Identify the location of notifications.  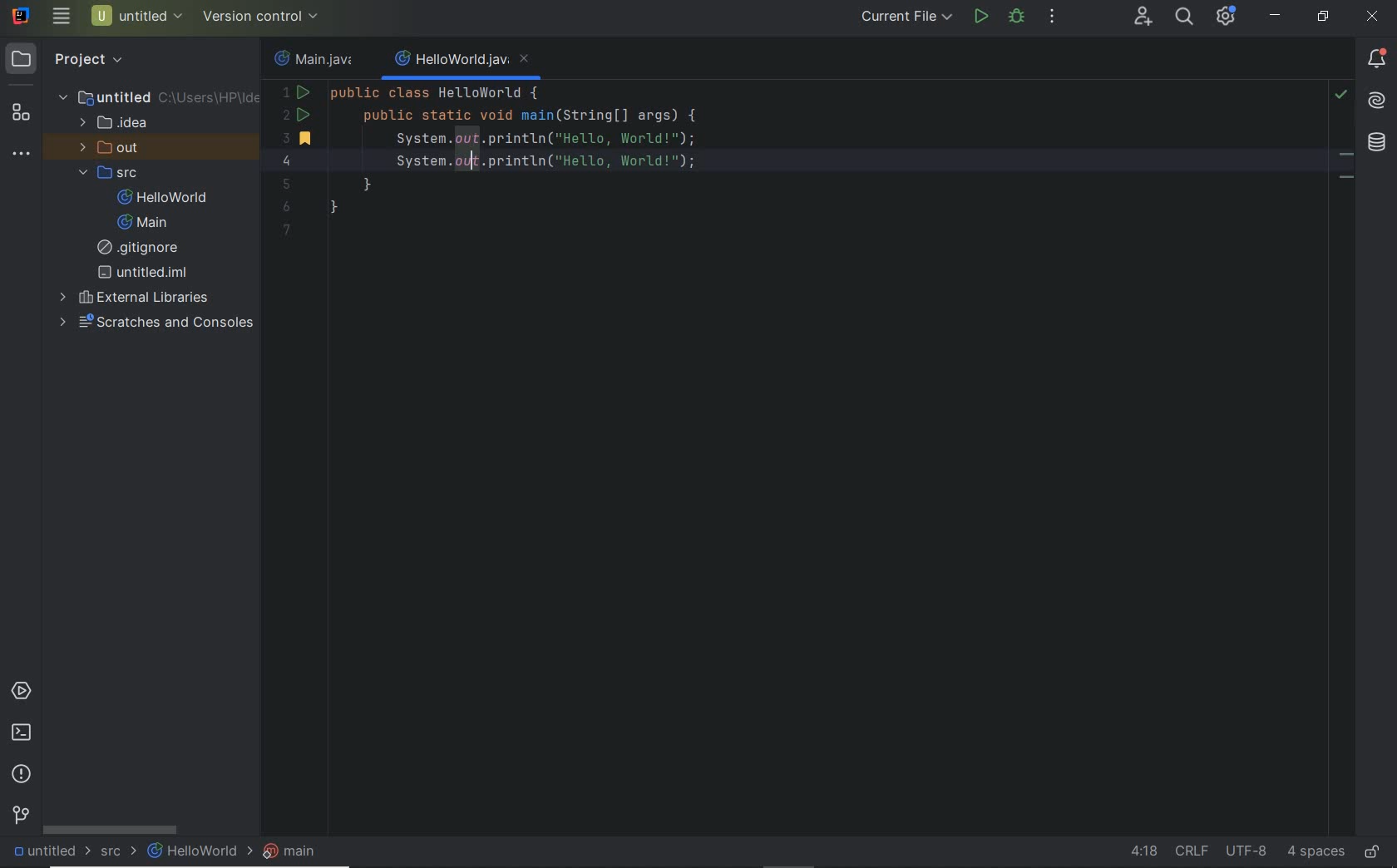
(1377, 61).